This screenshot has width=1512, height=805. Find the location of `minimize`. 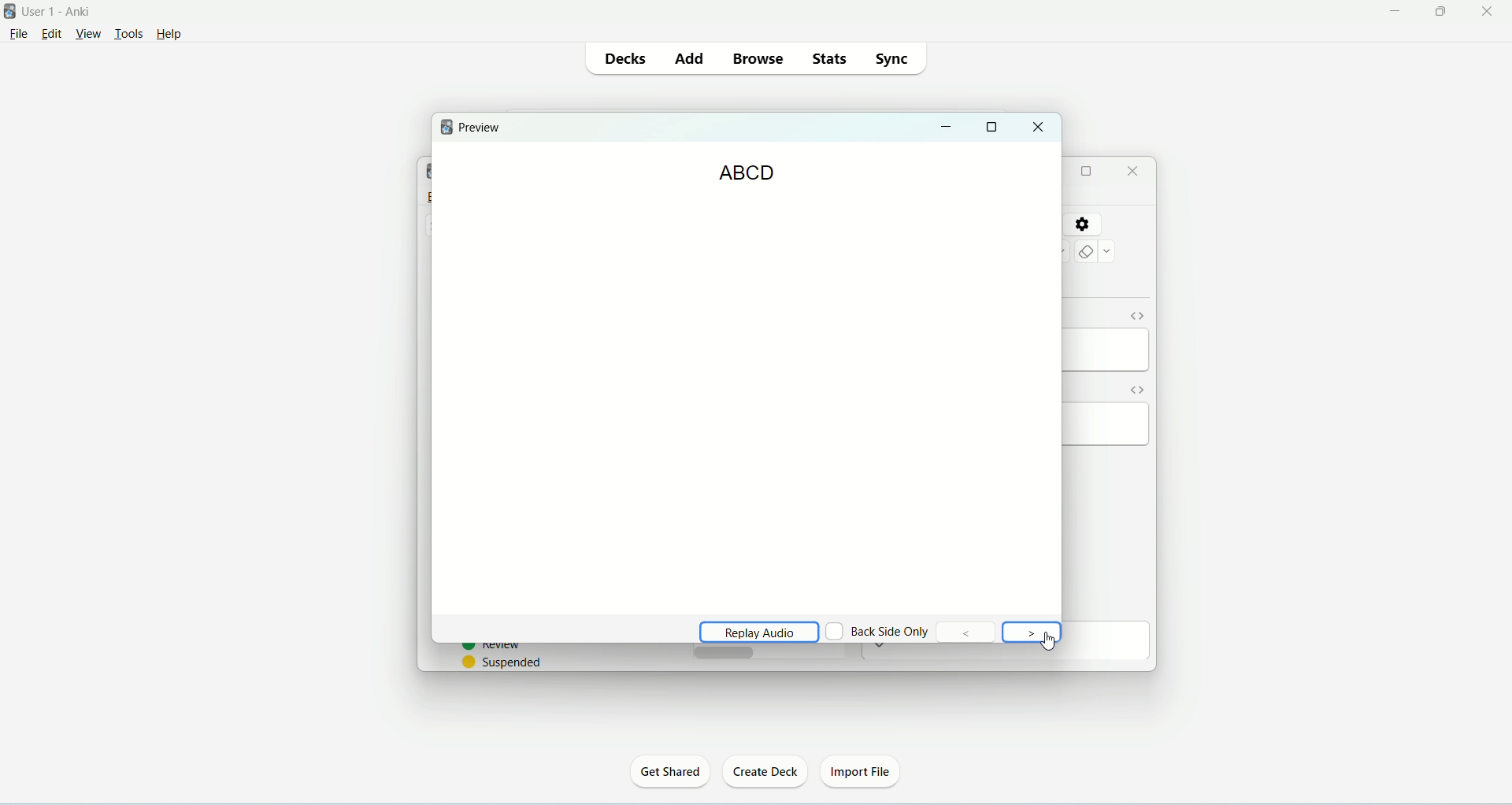

minimize is located at coordinates (1395, 12).